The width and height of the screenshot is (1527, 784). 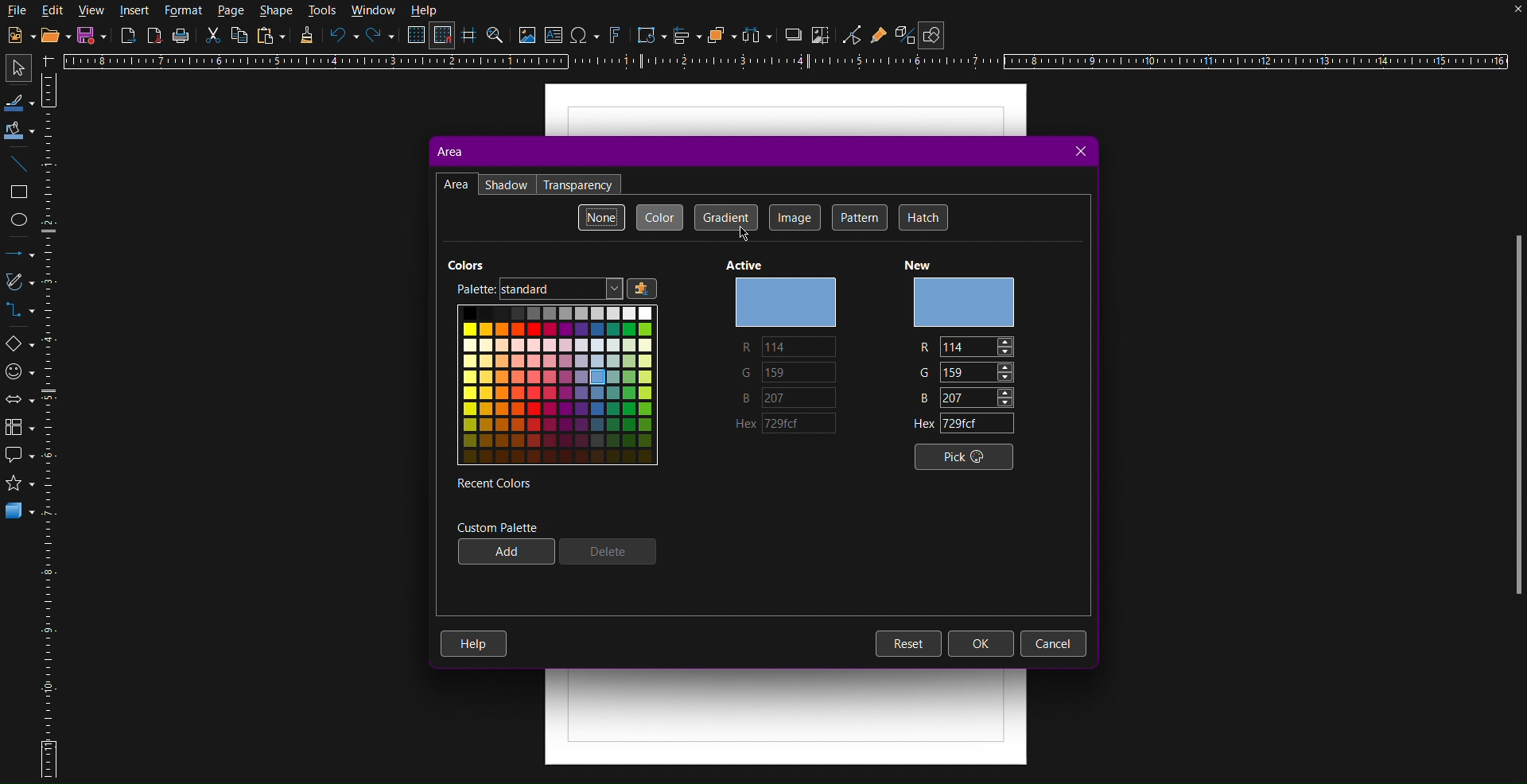 What do you see at coordinates (414, 37) in the screenshot?
I see `Display Grid` at bounding box center [414, 37].